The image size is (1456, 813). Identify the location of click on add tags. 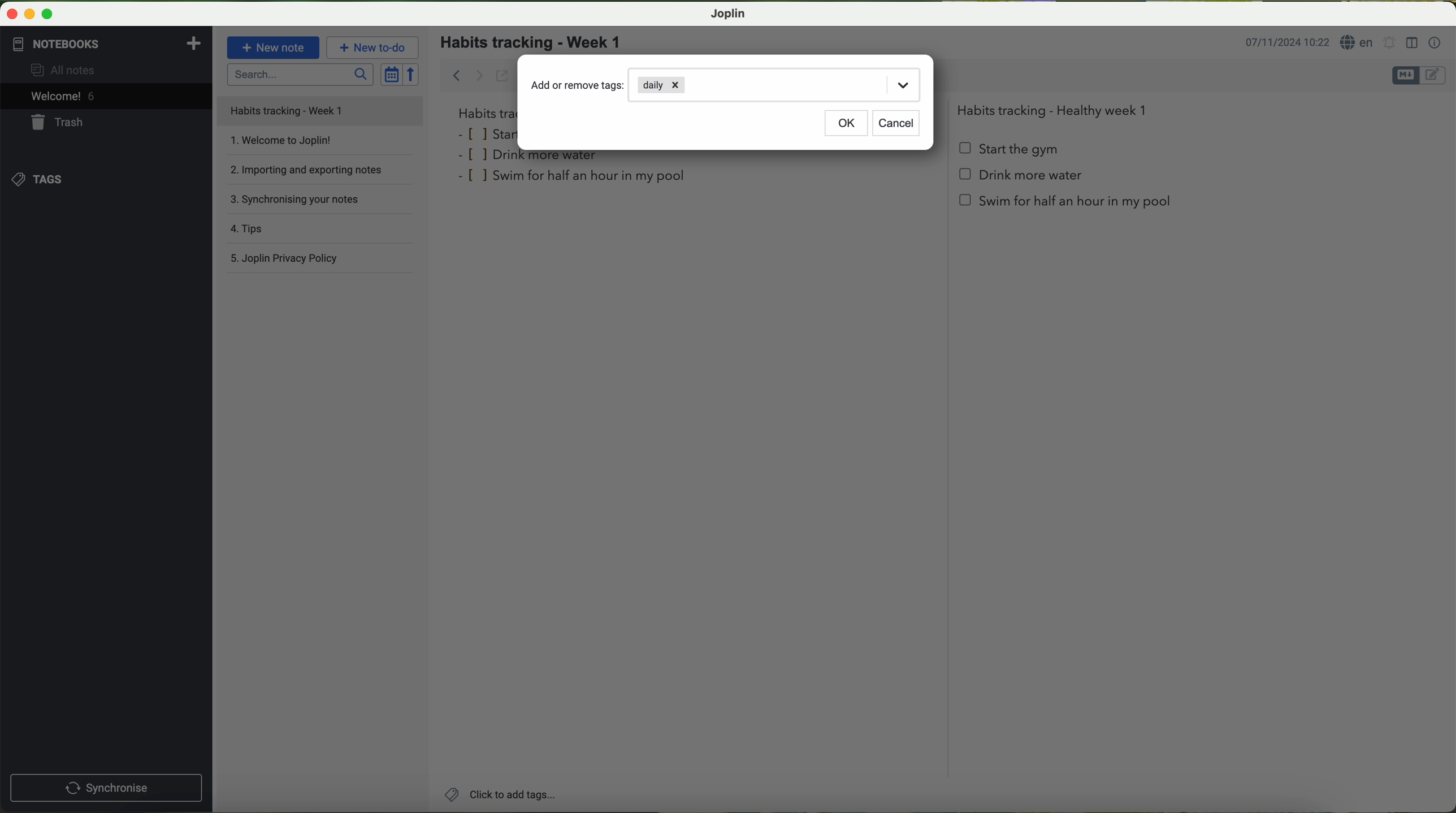
(498, 793).